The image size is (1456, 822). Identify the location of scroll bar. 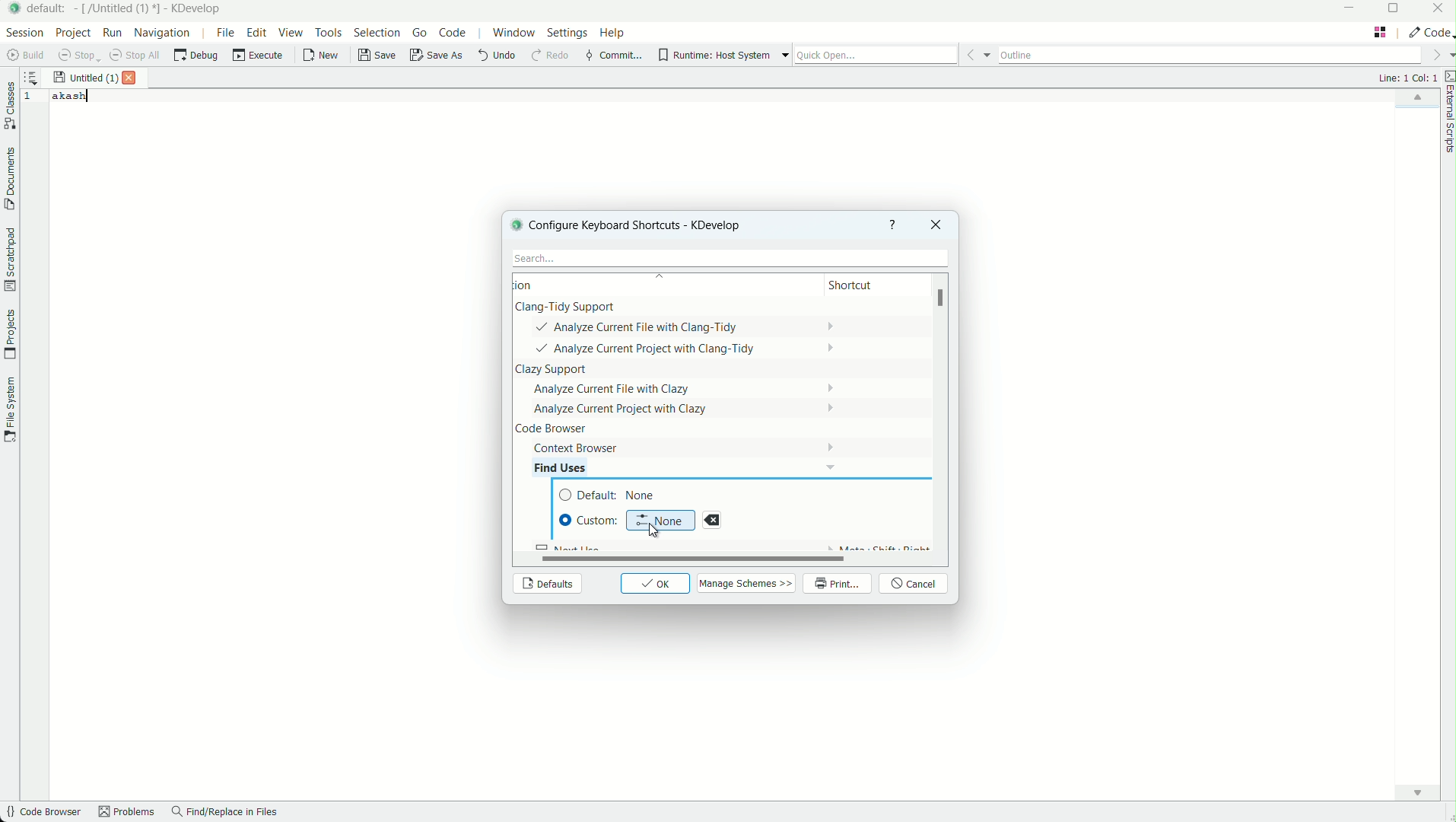
(684, 559).